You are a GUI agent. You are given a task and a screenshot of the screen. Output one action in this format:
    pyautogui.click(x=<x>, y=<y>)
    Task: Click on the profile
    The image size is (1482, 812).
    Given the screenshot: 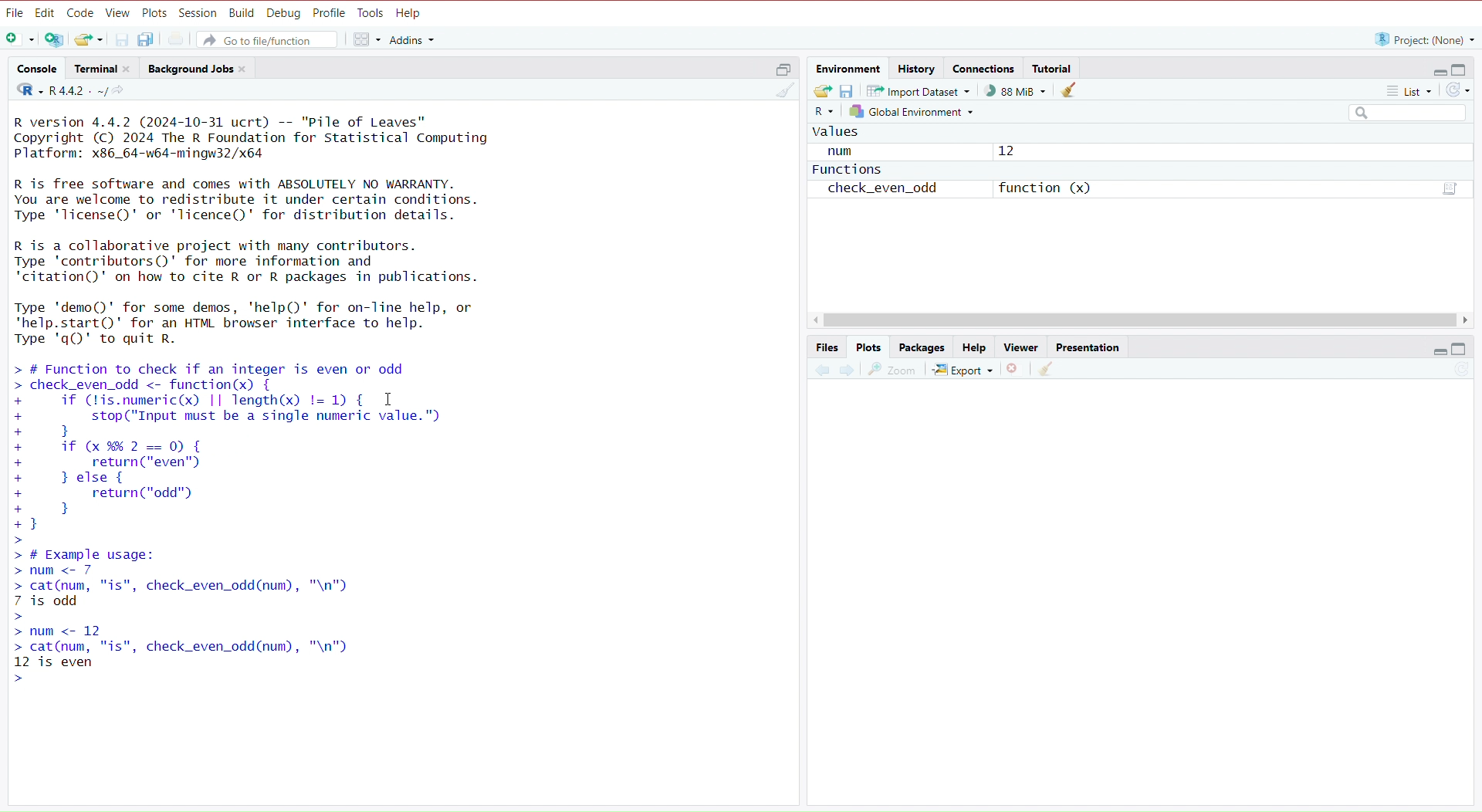 What is the action you would take?
    pyautogui.click(x=330, y=13)
    